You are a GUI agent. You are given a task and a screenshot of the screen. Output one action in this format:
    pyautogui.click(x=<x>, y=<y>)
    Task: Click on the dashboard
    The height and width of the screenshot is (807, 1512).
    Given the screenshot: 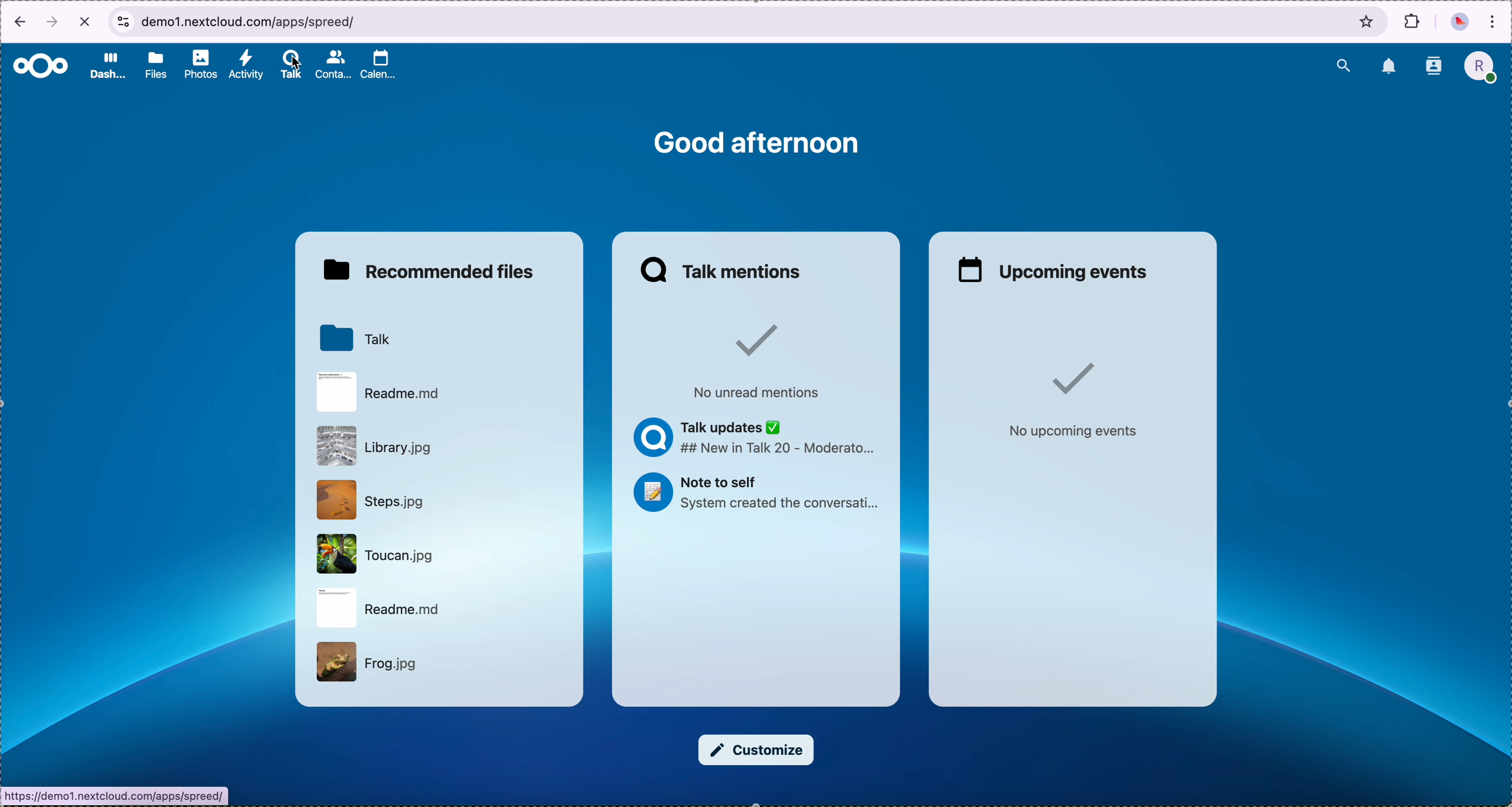 What is the action you would take?
    pyautogui.click(x=110, y=67)
    